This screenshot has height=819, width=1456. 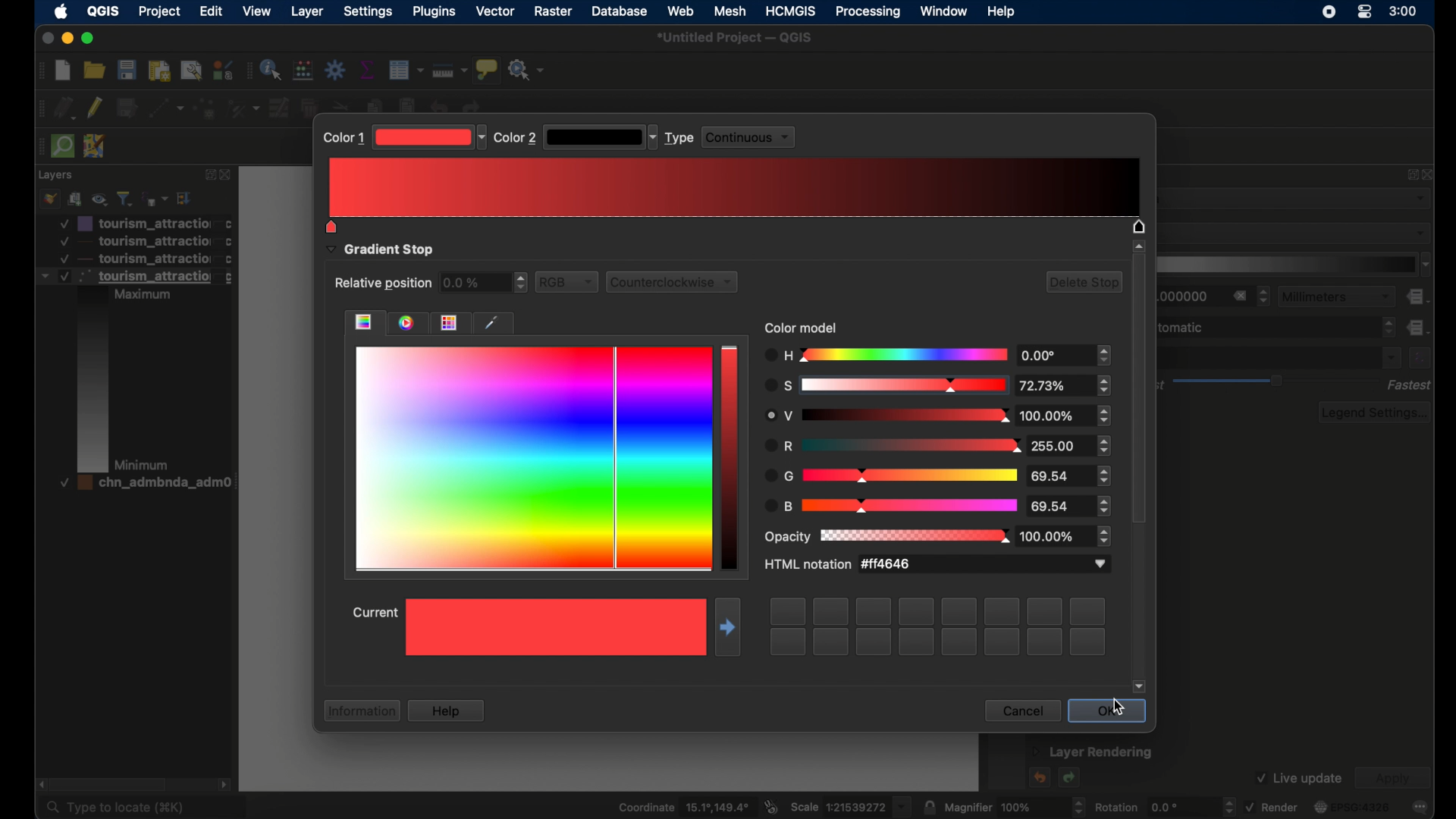 What do you see at coordinates (730, 11) in the screenshot?
I see `mesh` at bounding box center [730, 11].